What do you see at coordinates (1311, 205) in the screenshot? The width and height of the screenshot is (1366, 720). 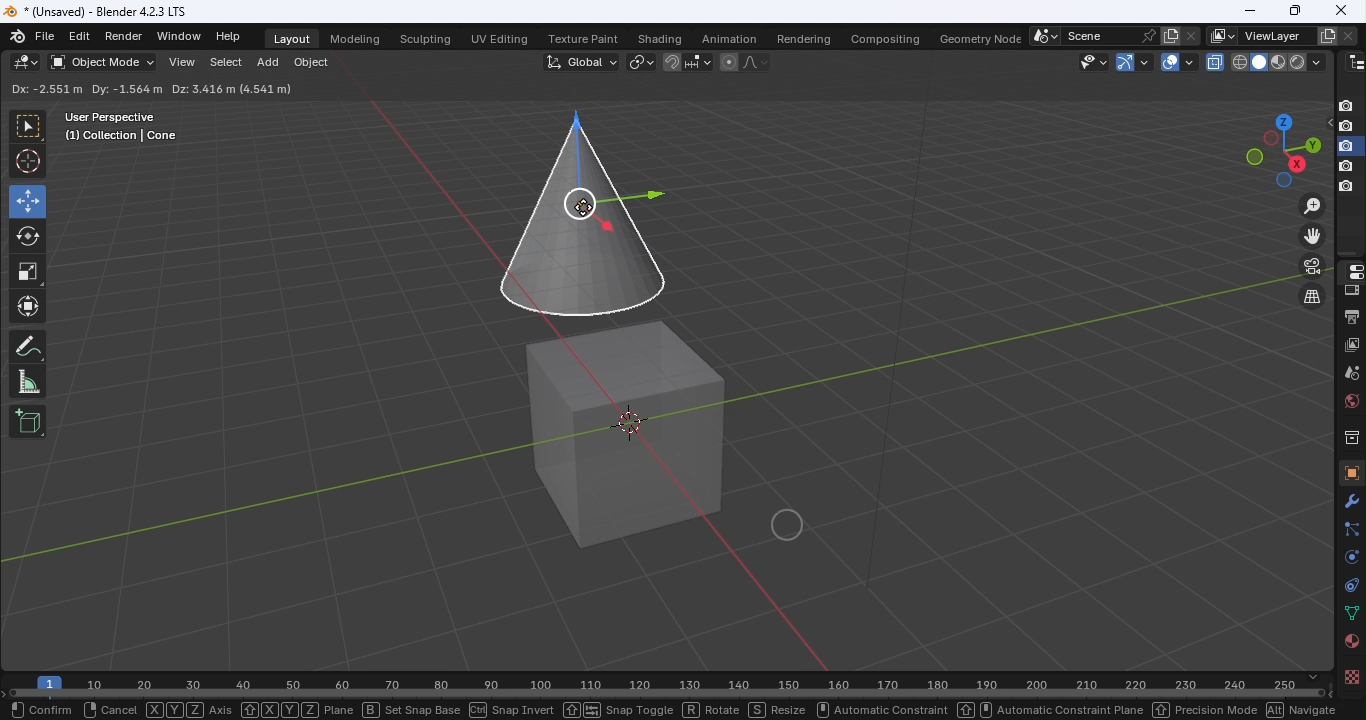 I see `Zoon in or out in the view` at bounding box center [1311, 205].